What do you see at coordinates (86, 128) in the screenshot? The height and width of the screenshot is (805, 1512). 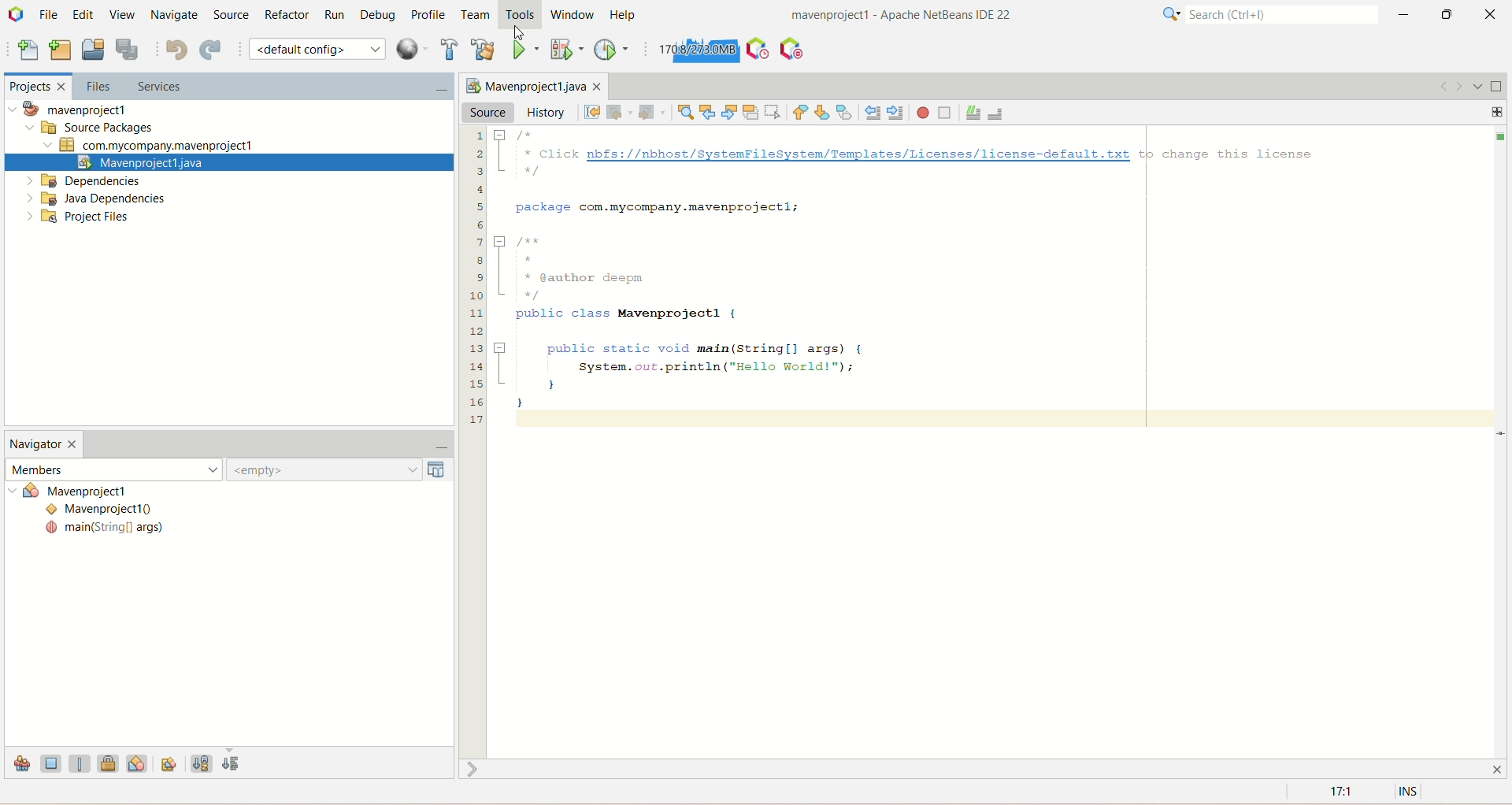 I see `source package` at bounding box center [86, 128].